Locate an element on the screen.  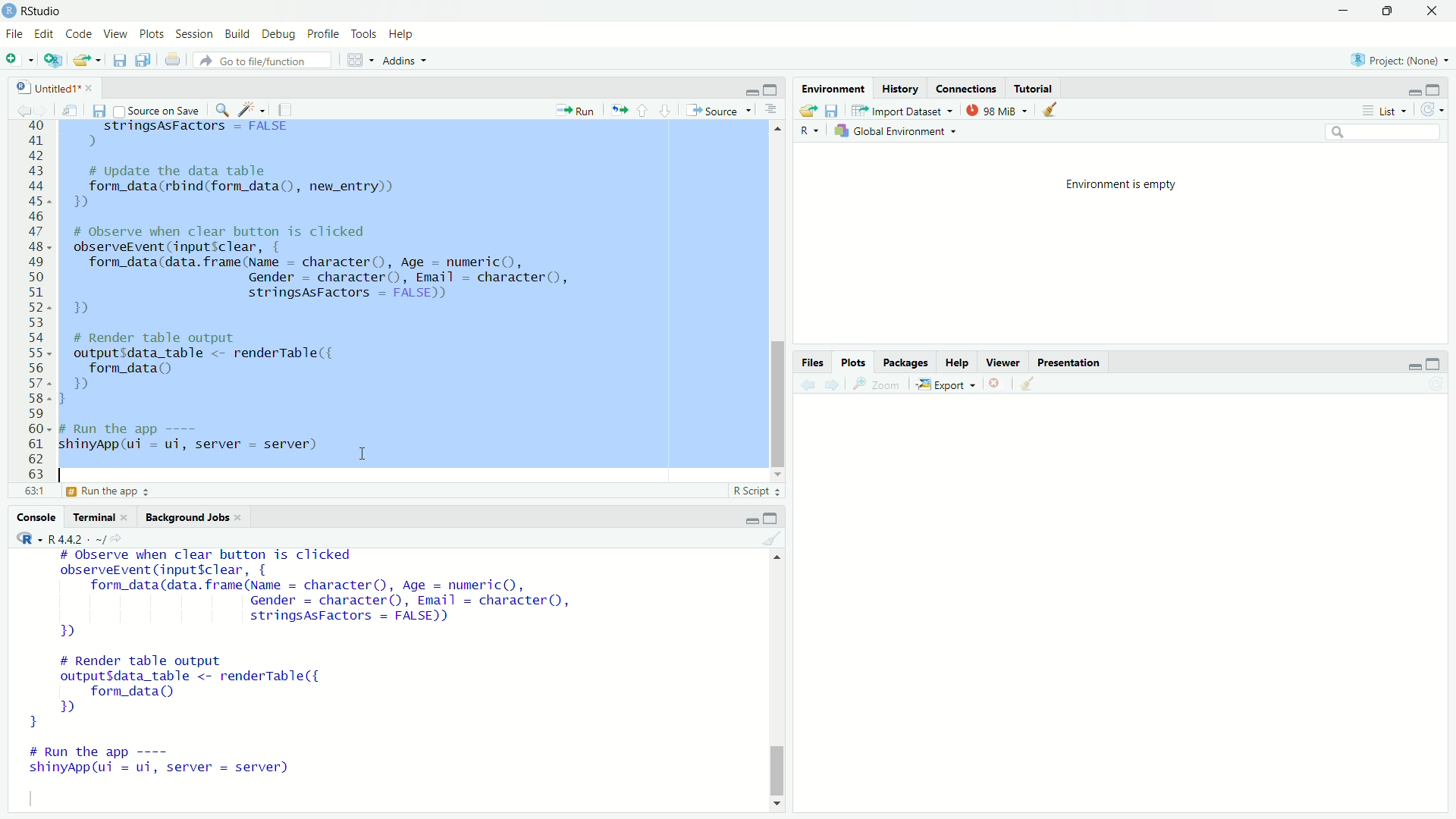
re-run the previous code region is located at coordinates (616, 109).